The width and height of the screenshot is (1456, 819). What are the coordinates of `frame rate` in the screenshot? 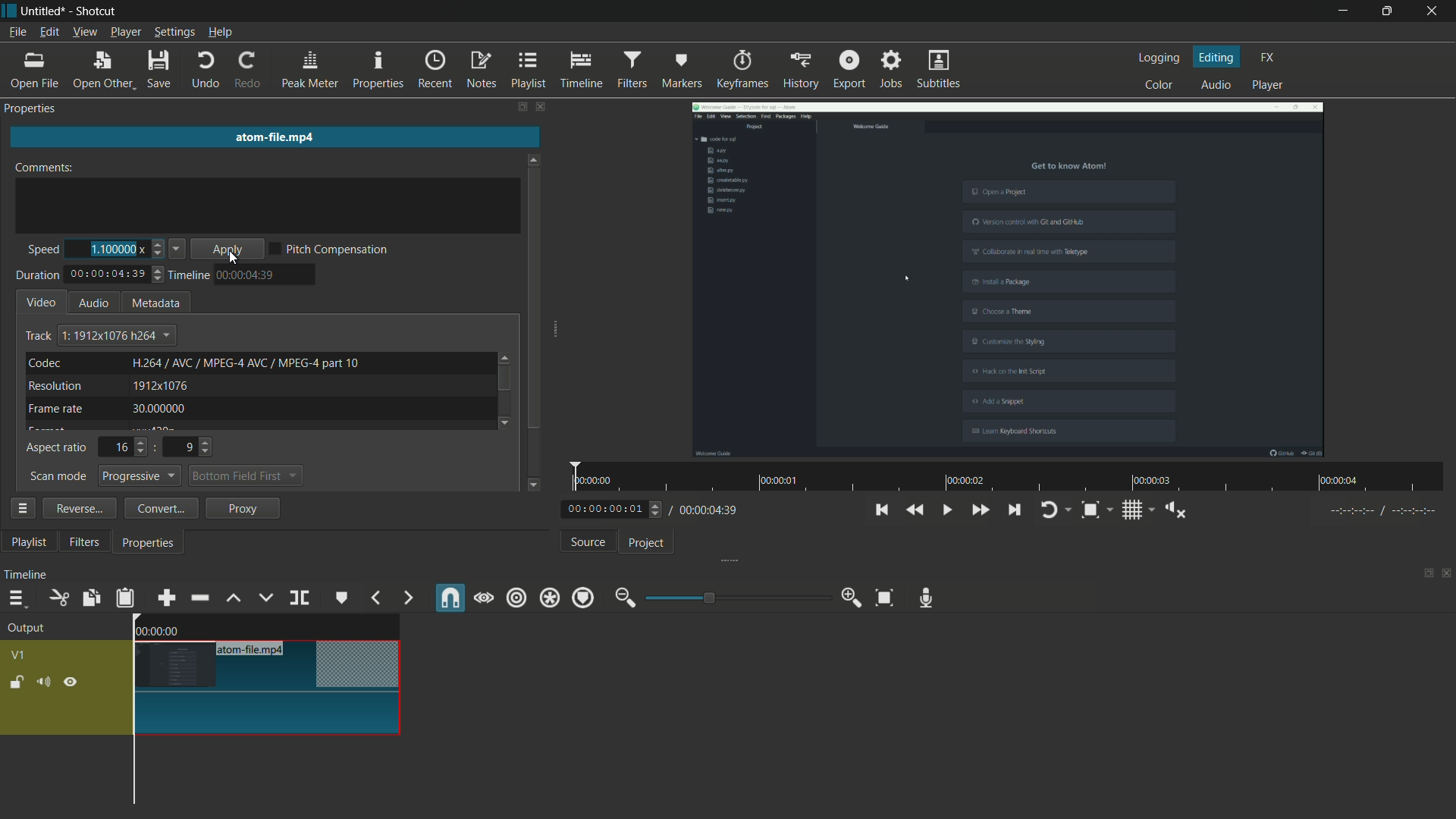 It's located at (57, 409).